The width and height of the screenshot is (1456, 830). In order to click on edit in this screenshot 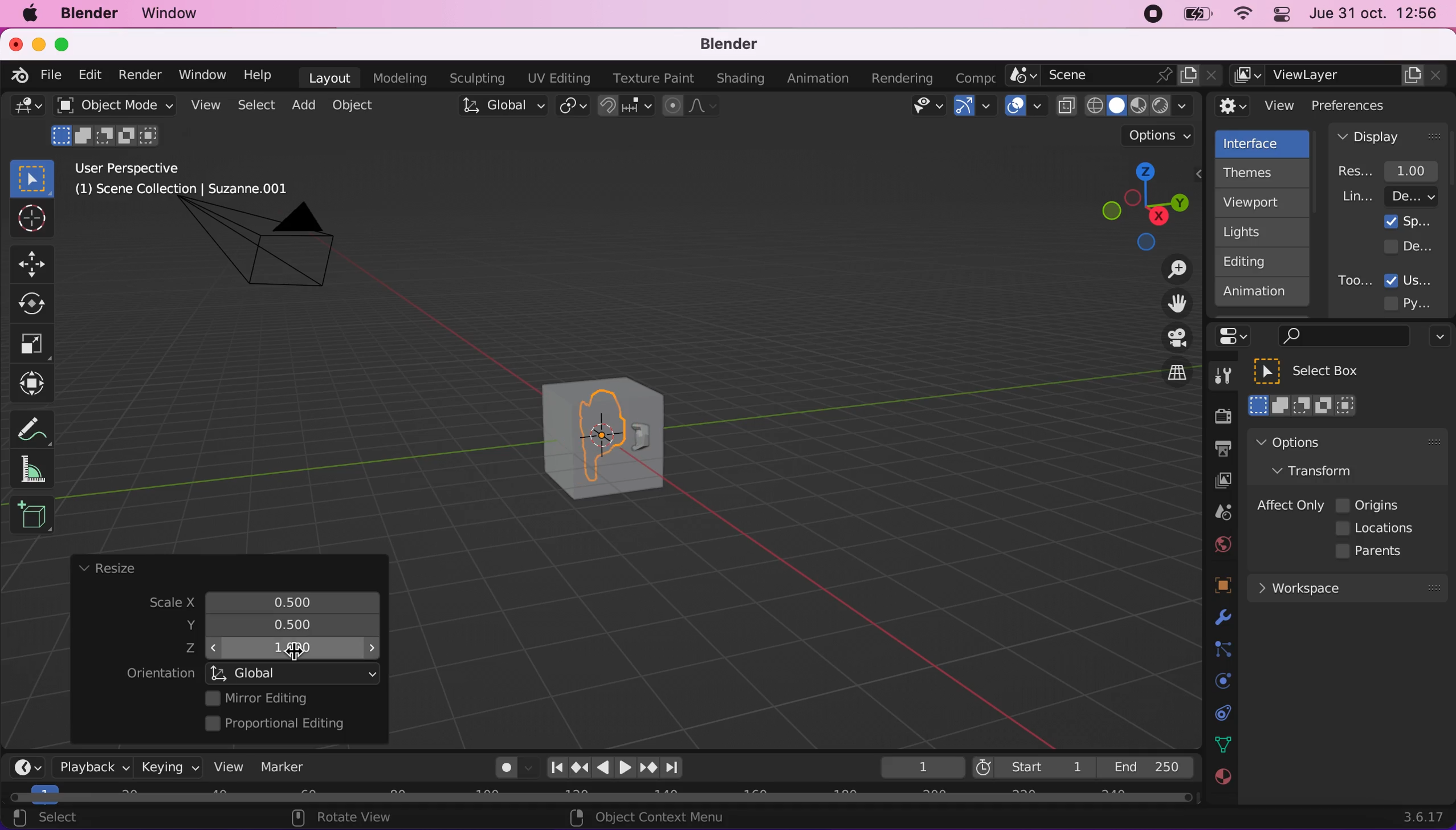, I will do `click(87, 75)`.